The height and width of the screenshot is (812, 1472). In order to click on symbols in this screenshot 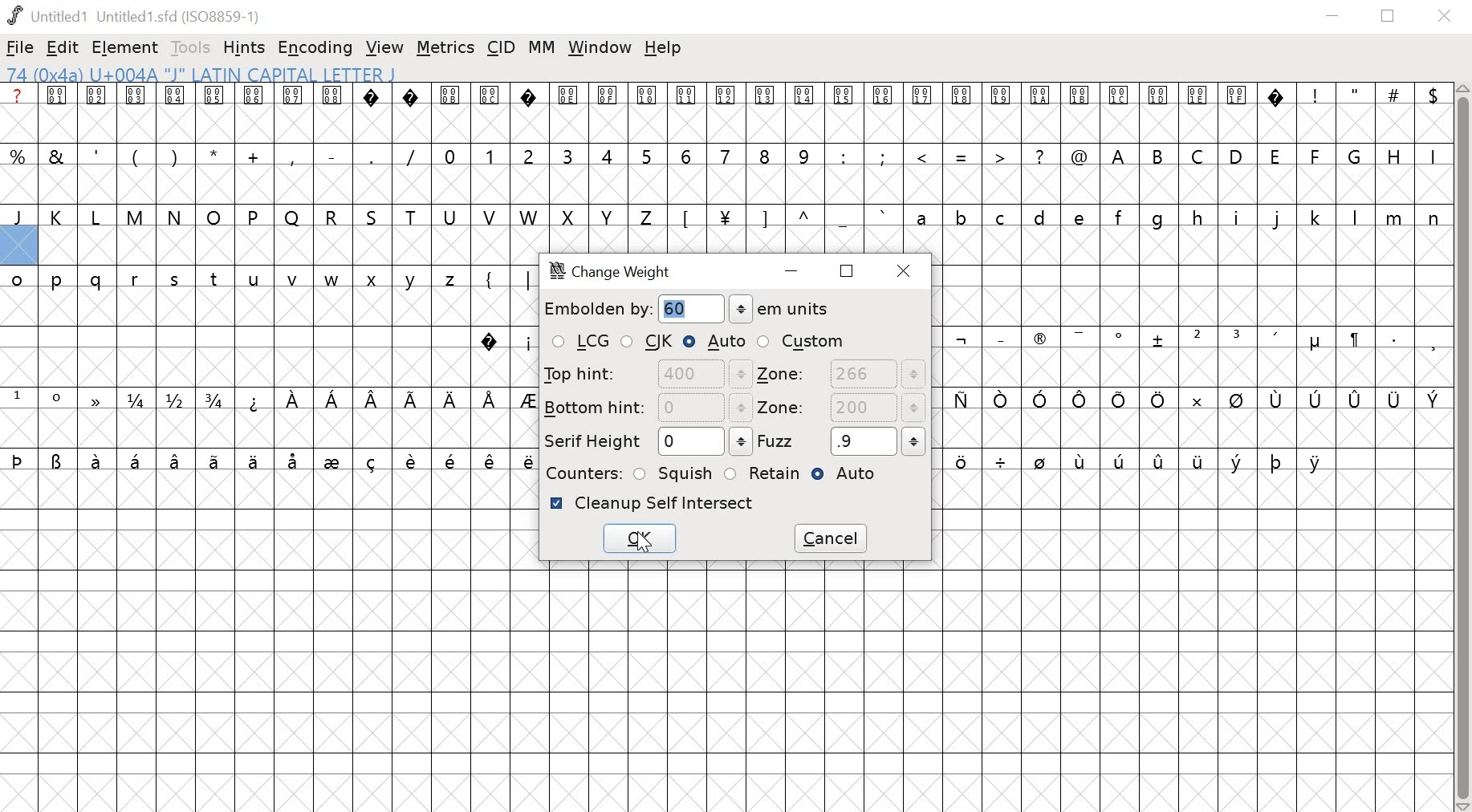, I will do `click(270, 460)`.